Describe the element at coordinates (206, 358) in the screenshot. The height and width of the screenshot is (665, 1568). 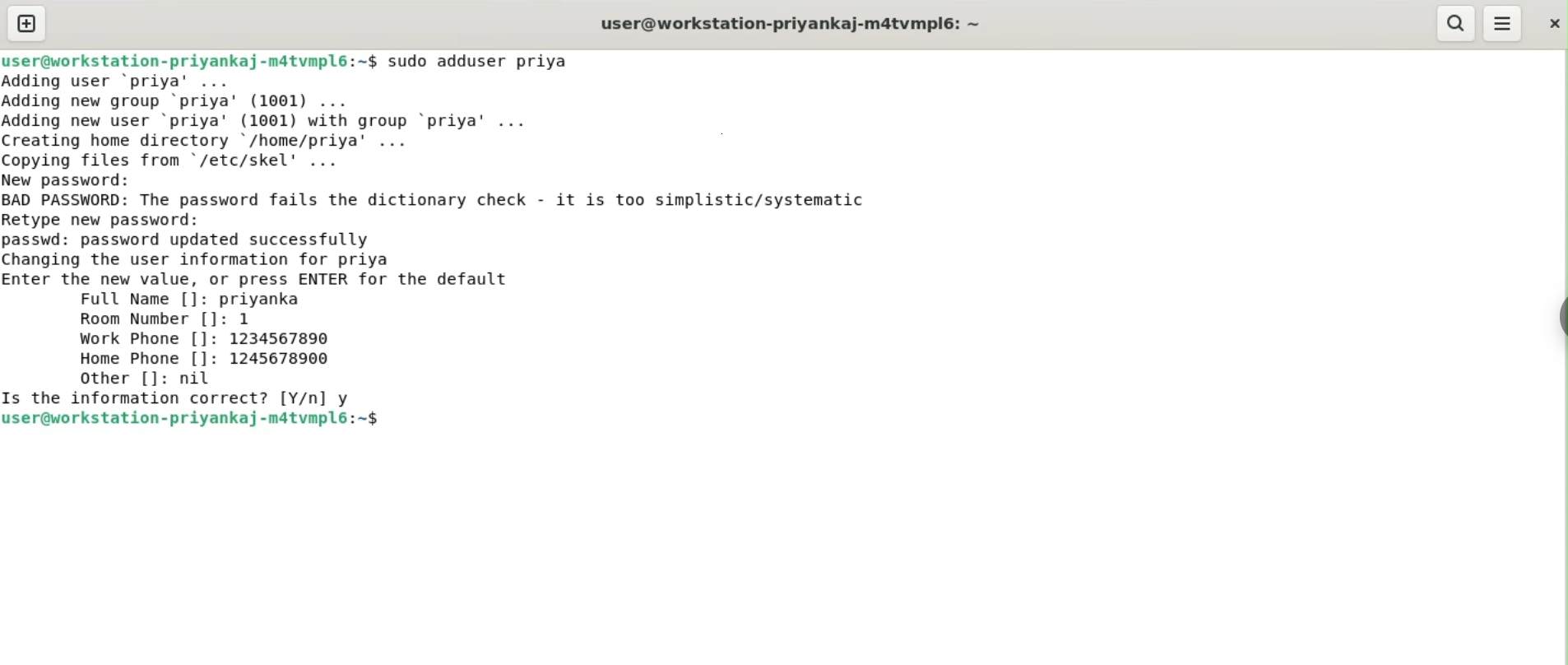
I see `Home Phone []: 1245678900` at that location.